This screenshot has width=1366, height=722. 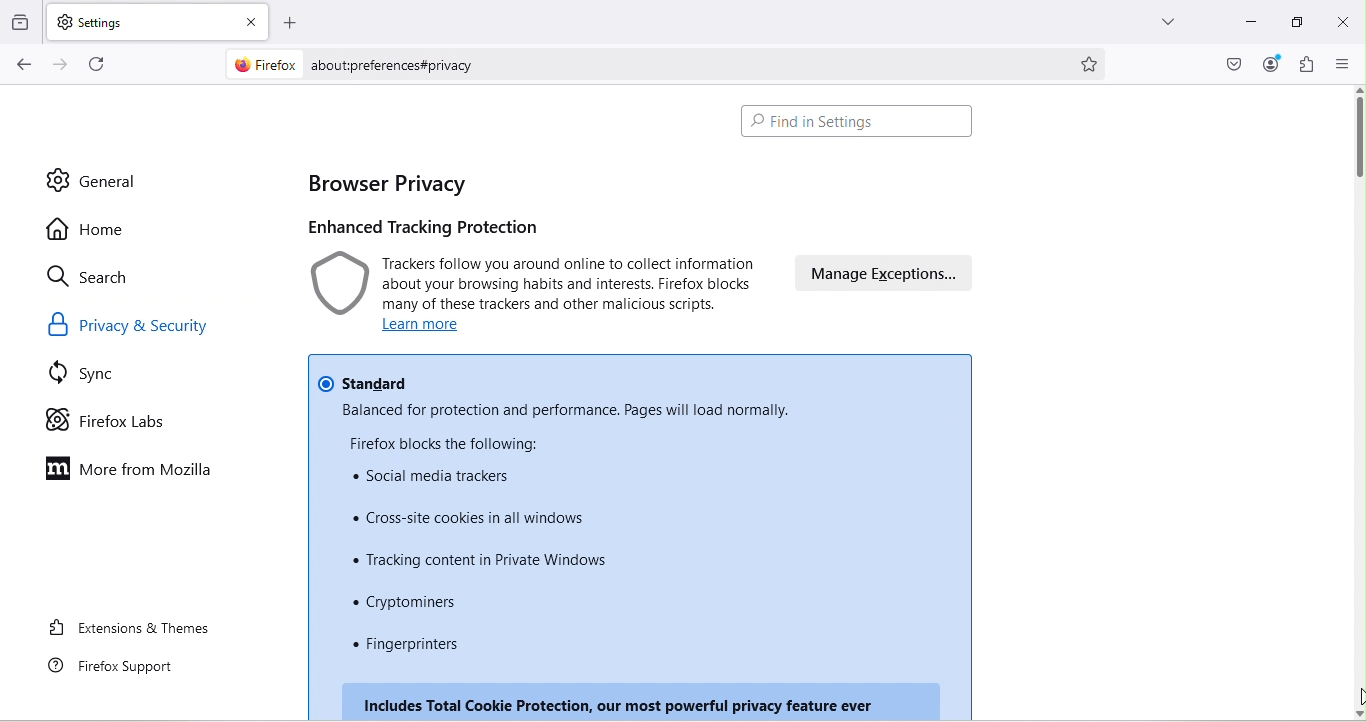 What do you see at coordinates (683, 63) in the screenshot?
I see `about:preferences` at bounding box center [683, 63].